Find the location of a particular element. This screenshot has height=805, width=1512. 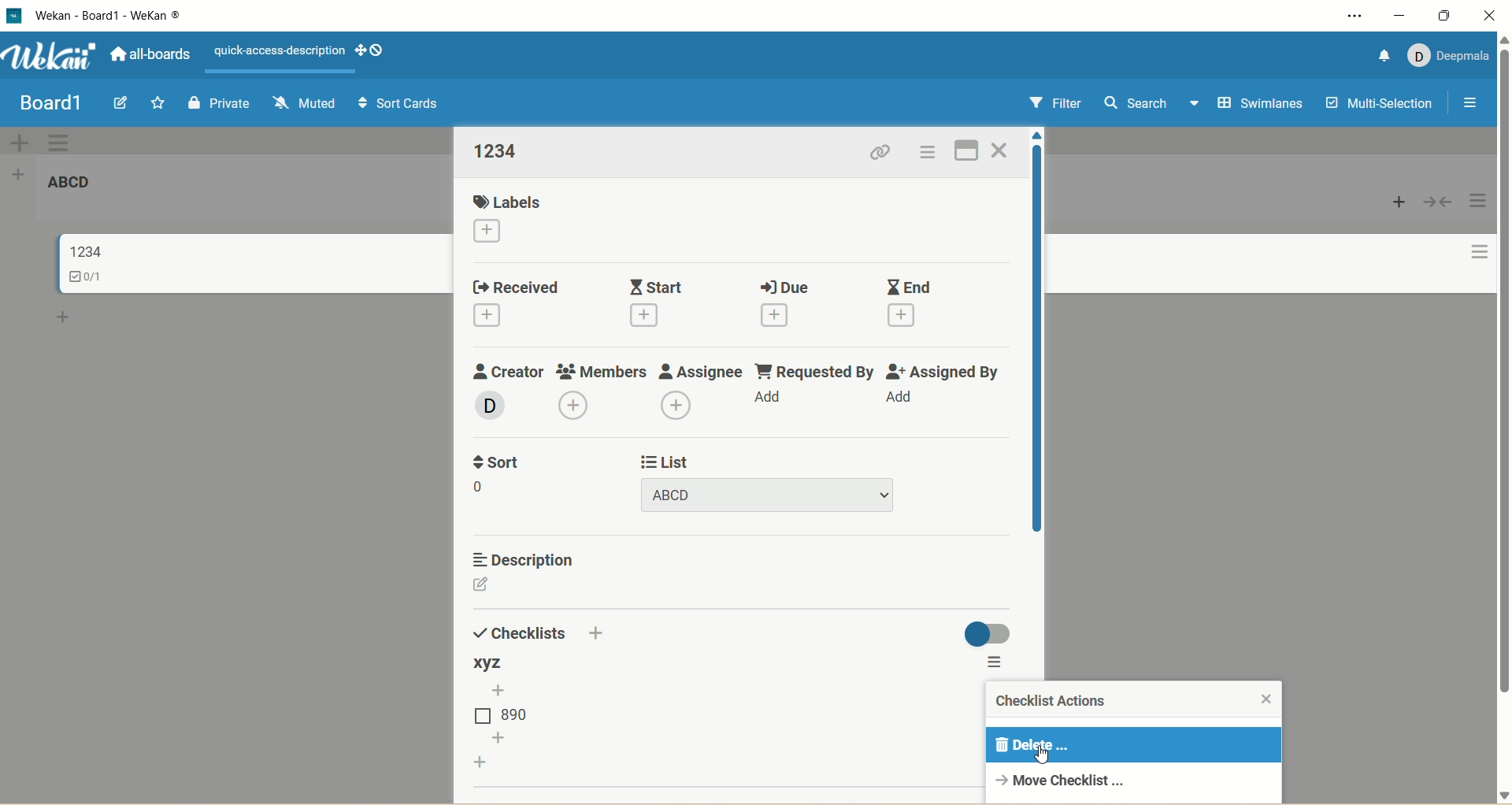

text is located at coordinates (280, 52).